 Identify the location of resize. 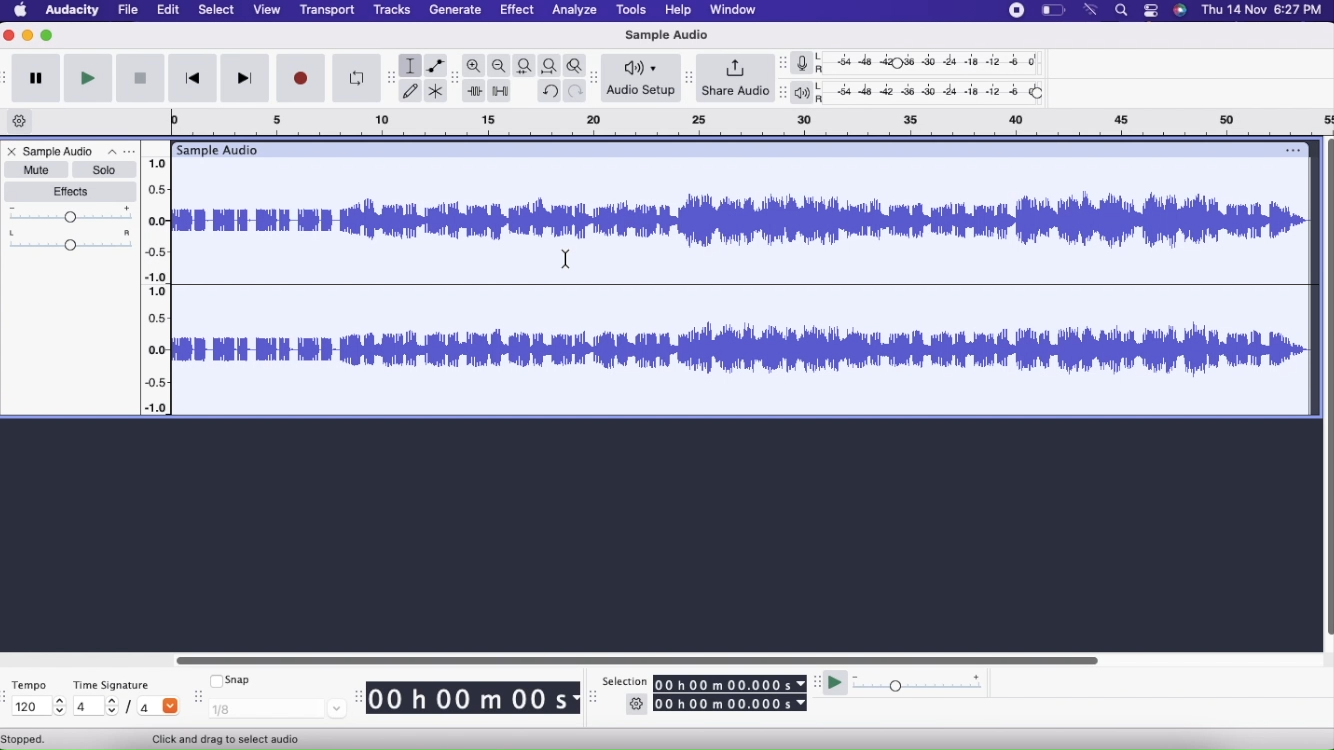
(359, 696).